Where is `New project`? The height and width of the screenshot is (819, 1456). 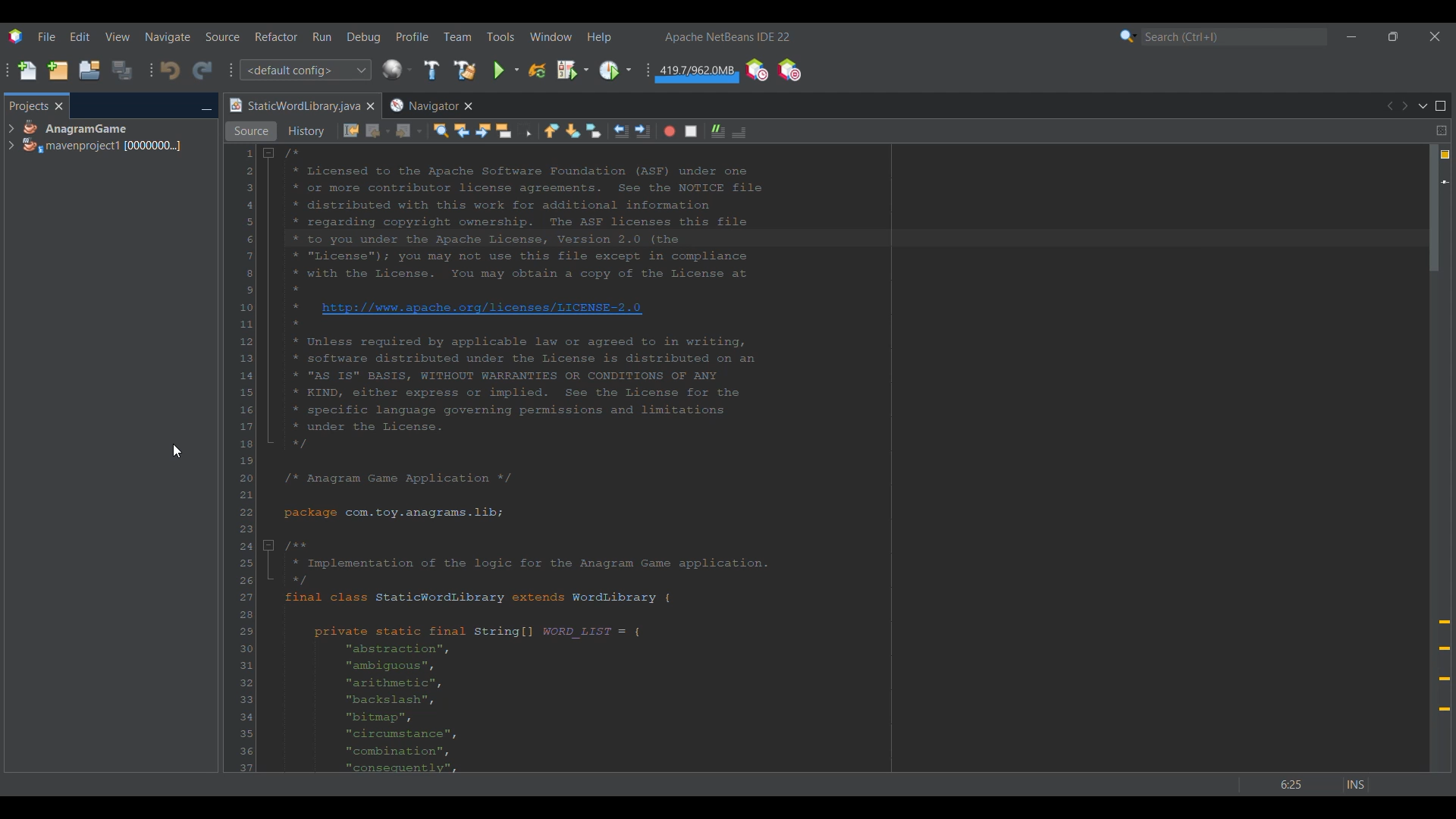
New project is located at coordinates (58, 70).